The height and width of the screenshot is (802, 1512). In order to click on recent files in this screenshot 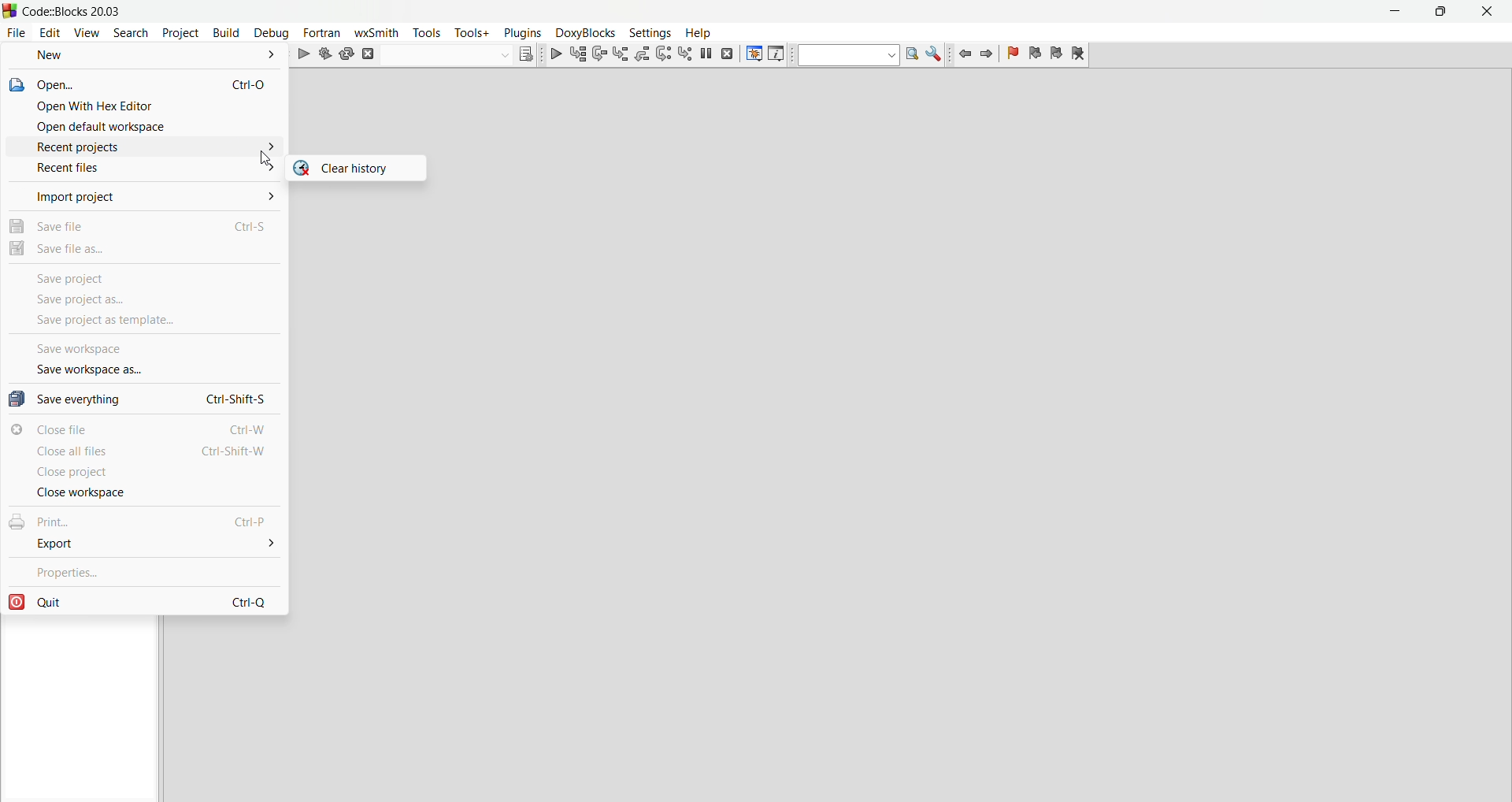, I will do `click(145, 169)`.